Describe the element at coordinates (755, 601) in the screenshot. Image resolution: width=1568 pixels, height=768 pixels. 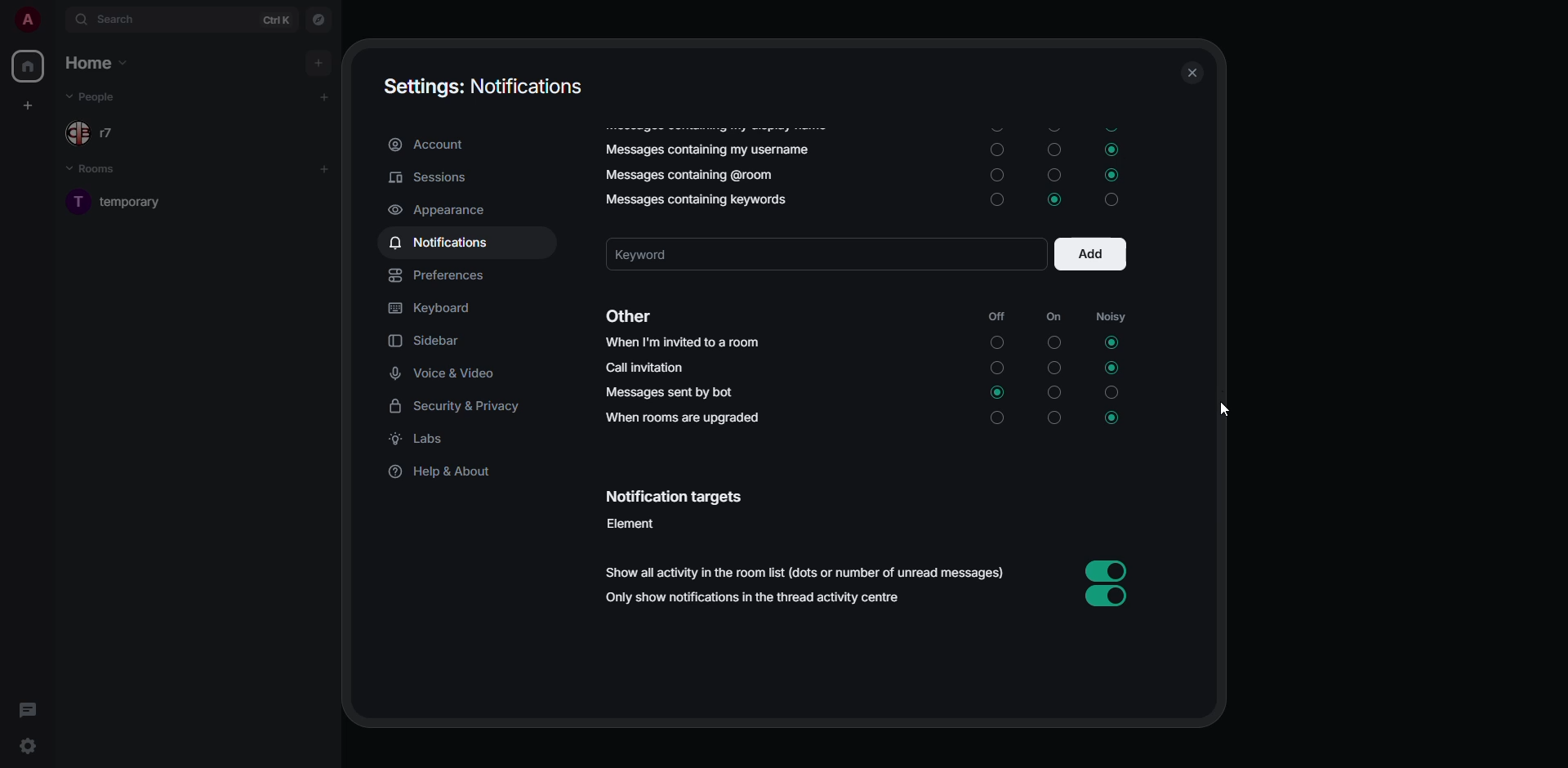
I see `only show notifications in the thread activity centre` at that location.